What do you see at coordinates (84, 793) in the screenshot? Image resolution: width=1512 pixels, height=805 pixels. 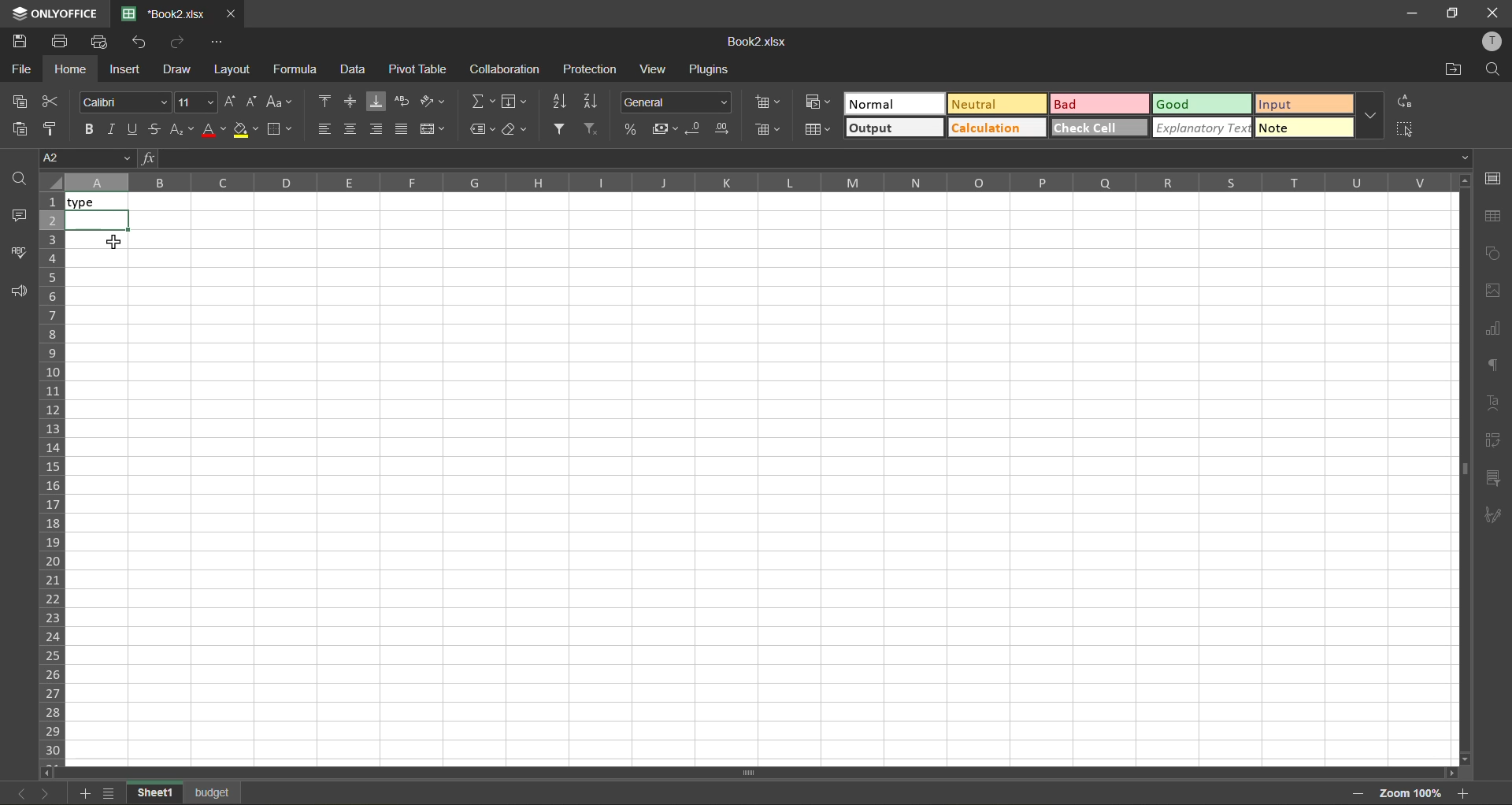 I see `add sheet` at bounding box center [84, 793].